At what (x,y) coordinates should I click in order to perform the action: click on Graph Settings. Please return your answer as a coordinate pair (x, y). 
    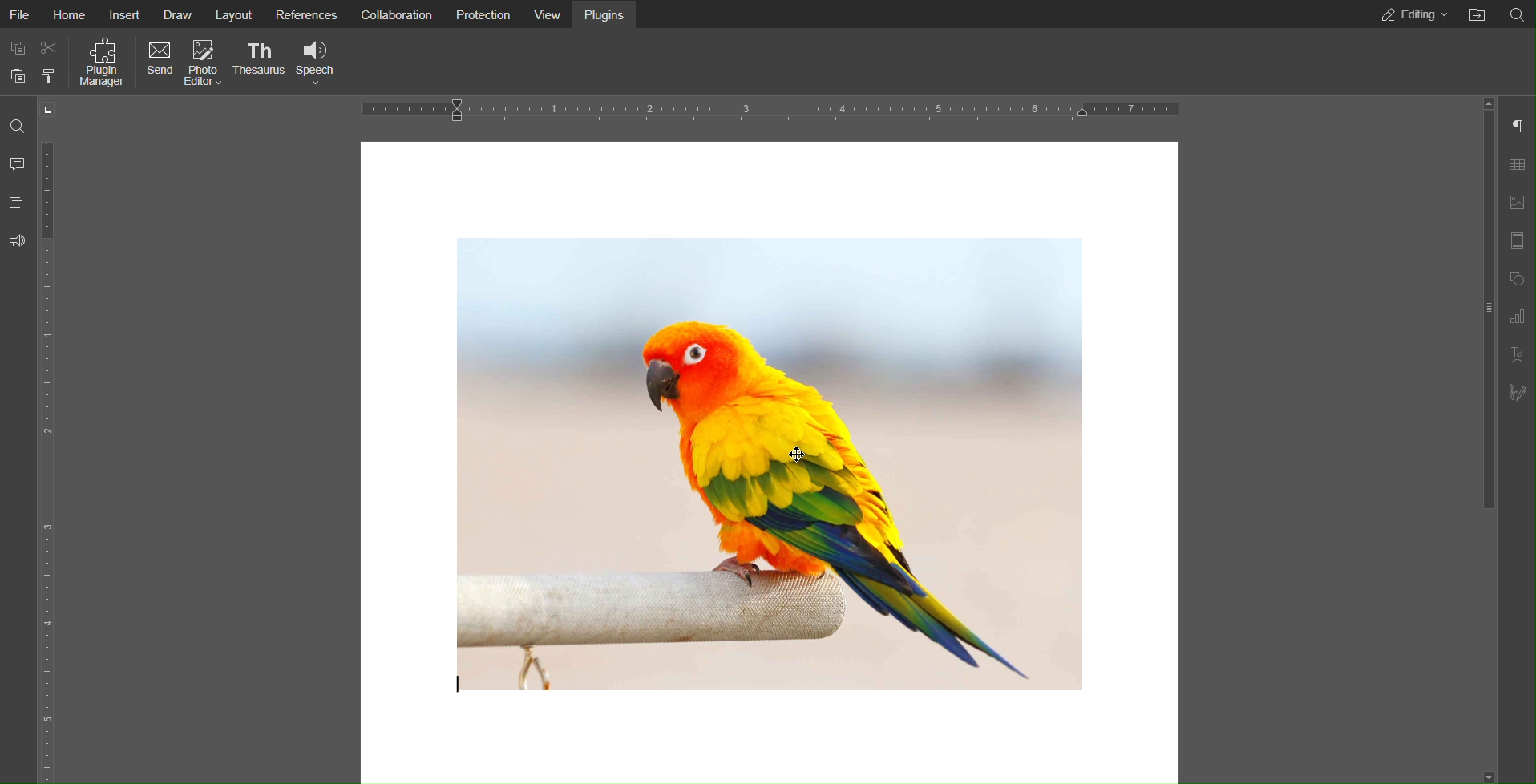
    Looking at the image, I should click on (1516, 317).